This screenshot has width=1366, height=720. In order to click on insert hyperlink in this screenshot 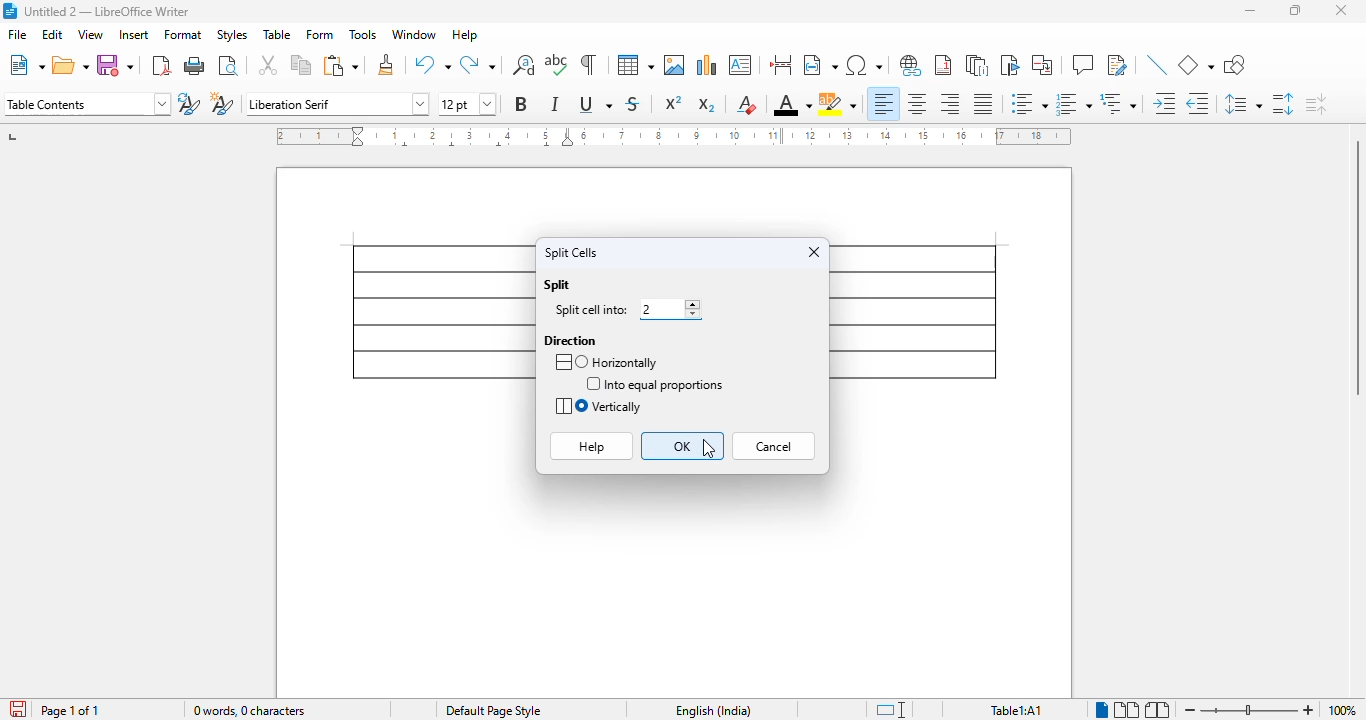, I will do `click(910, 64)`.